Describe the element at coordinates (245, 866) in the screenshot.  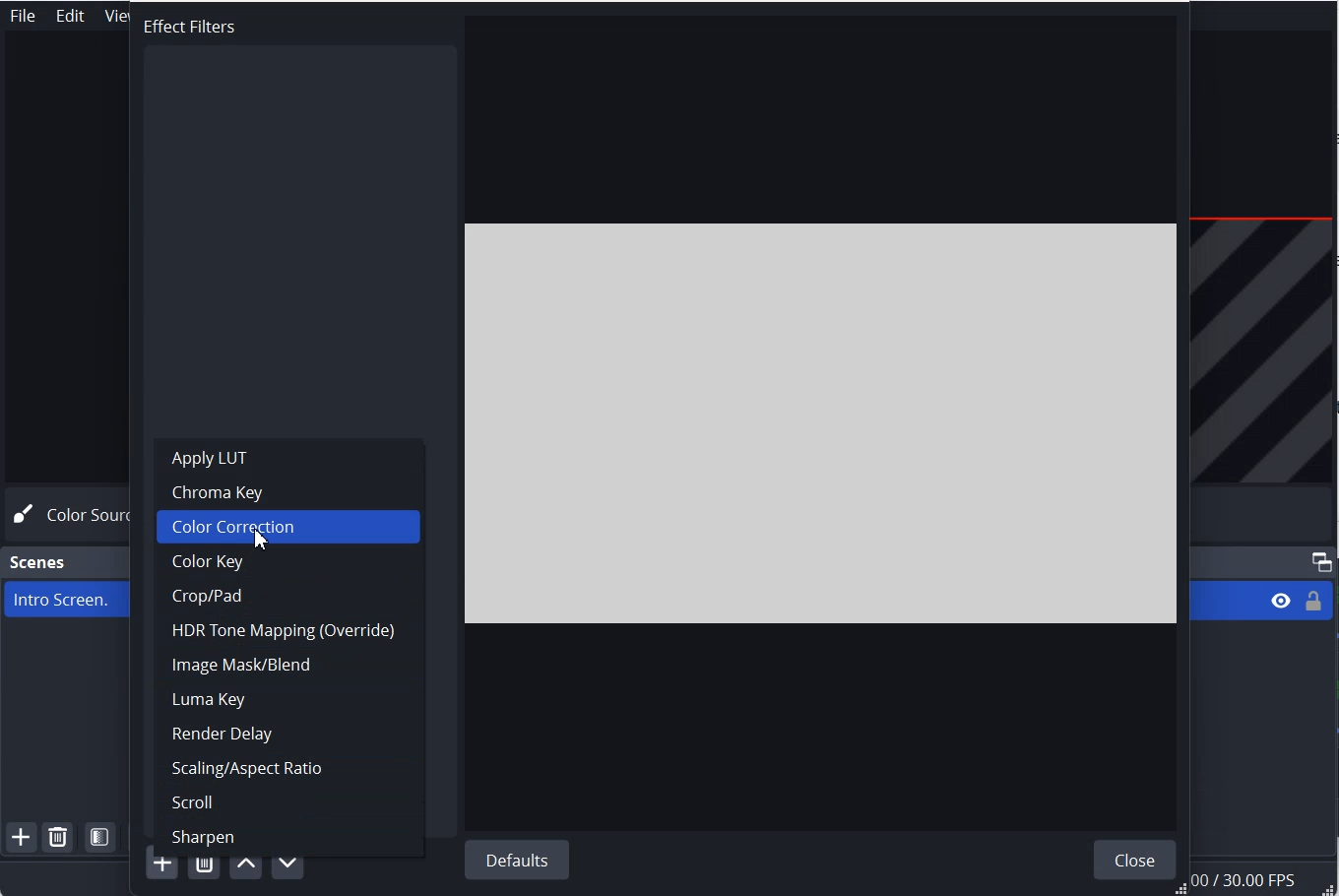
I see `Move filter up` at that location.